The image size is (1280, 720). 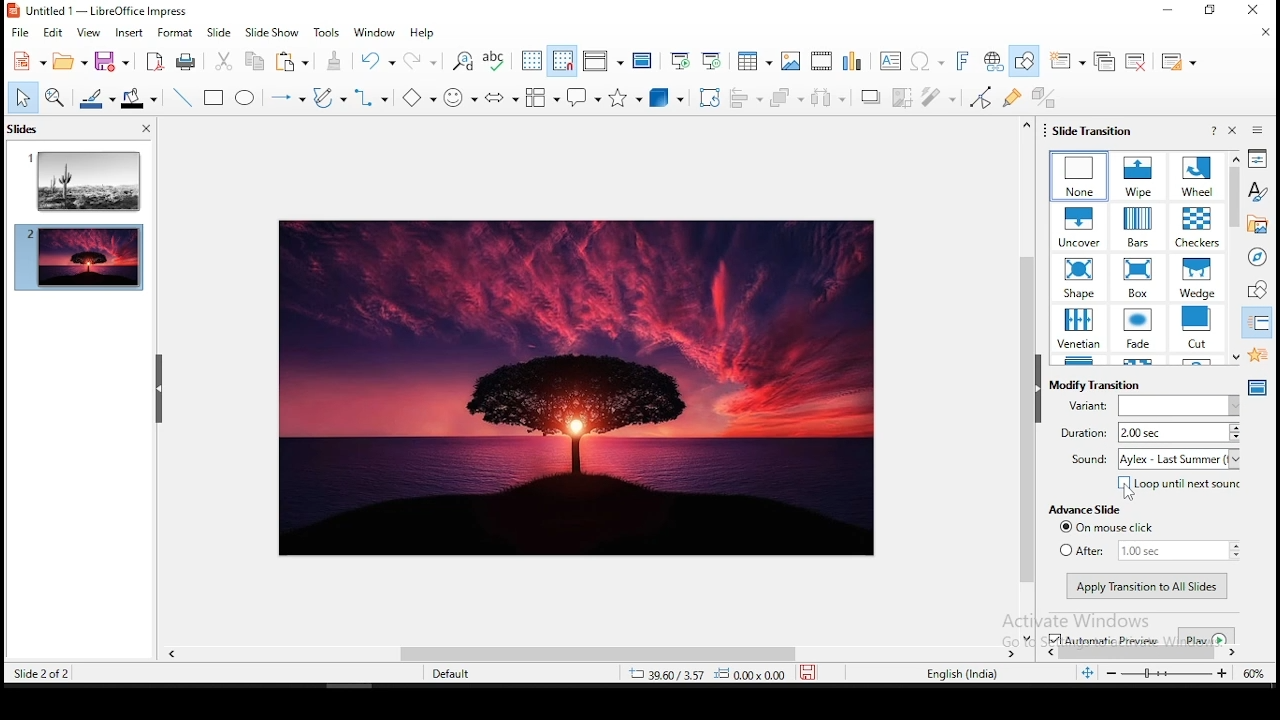 I want to click on text box, so click(x=891, y=60).